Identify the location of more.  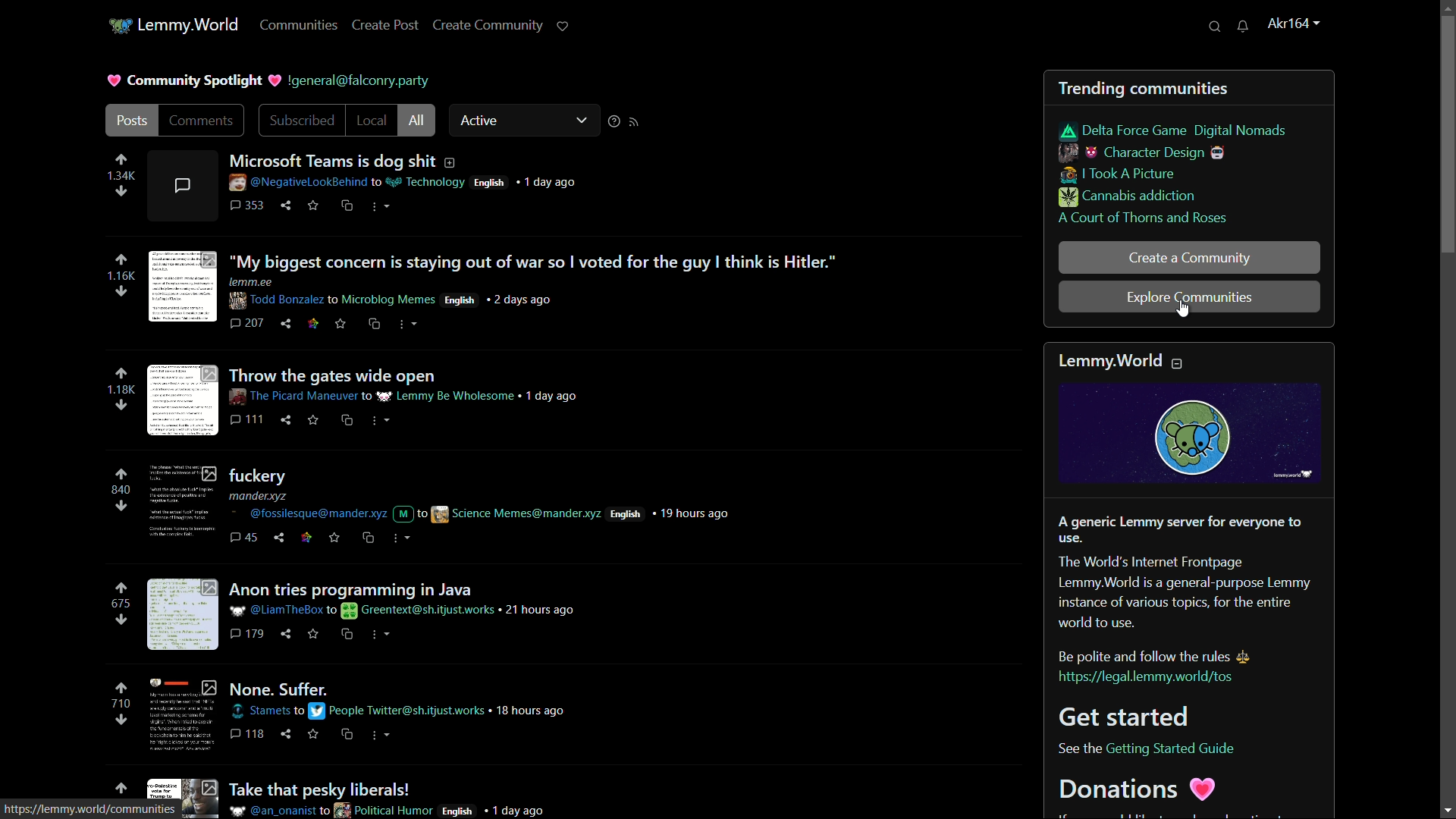
(381, 735).